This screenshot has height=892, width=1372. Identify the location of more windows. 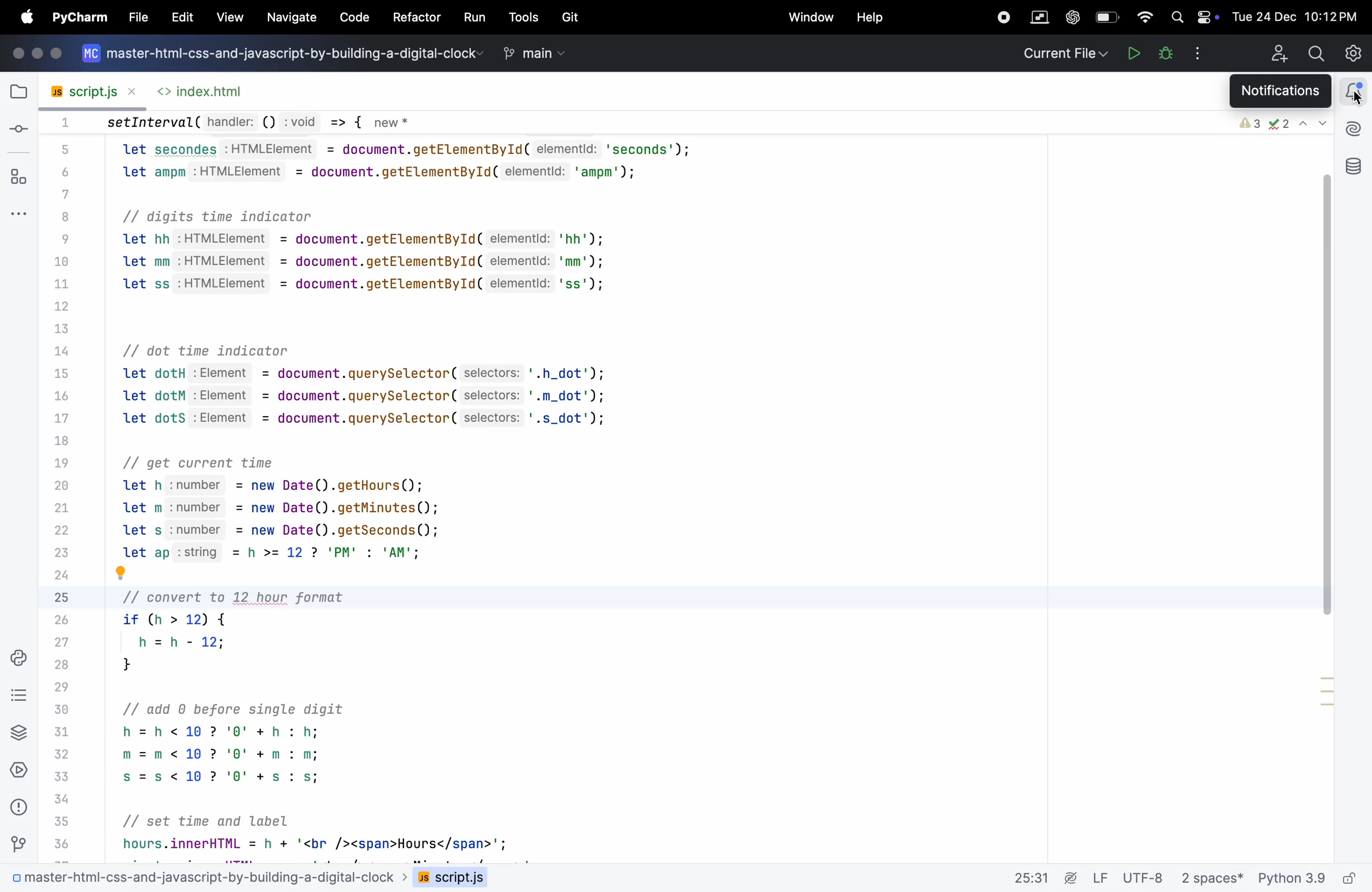
(20, 211).